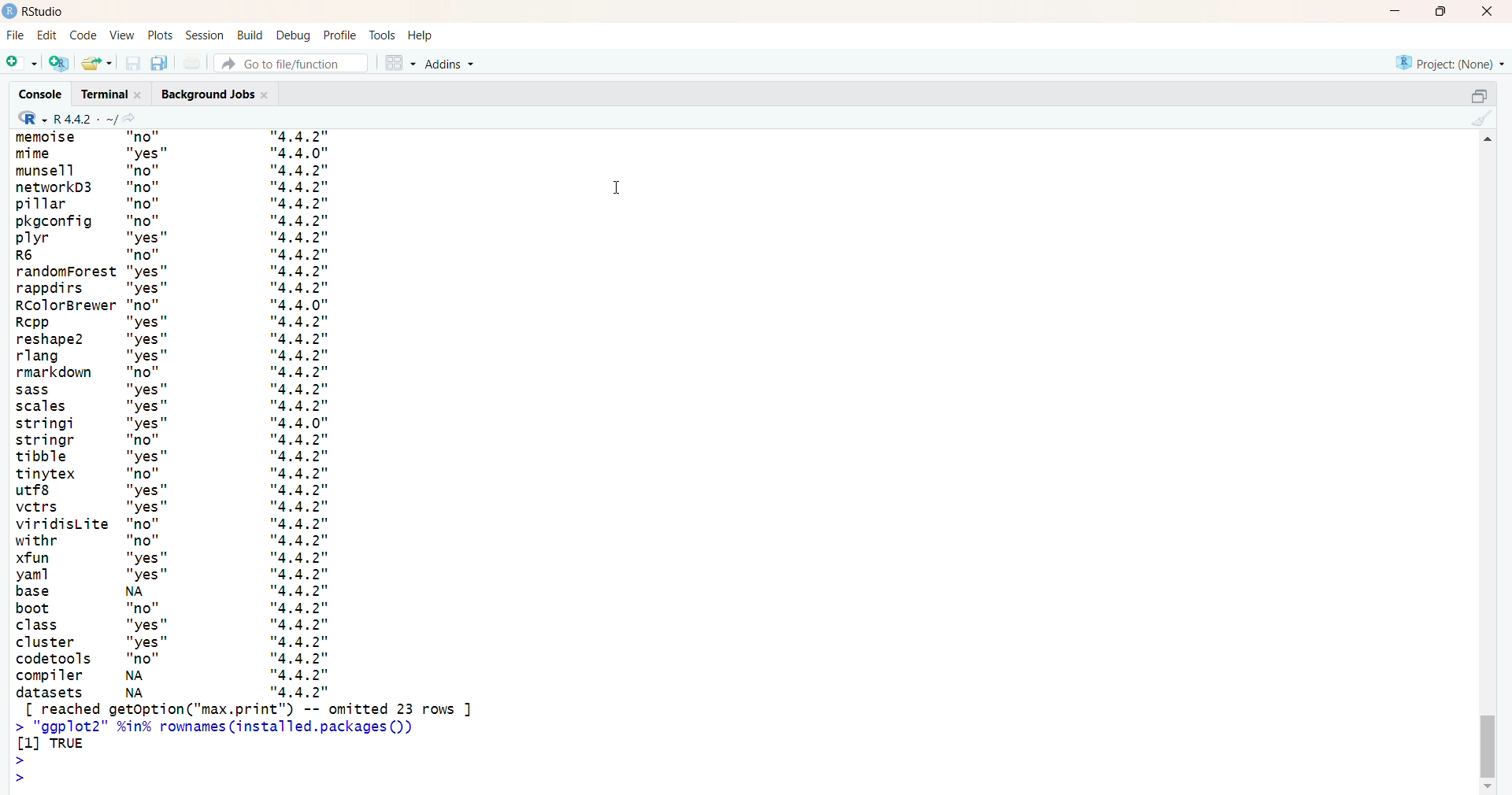 The width and height of the screenshot is (1512, 795). Describe the element at coordinates (1491, 10) in the screenshot. I see `close` at that location.